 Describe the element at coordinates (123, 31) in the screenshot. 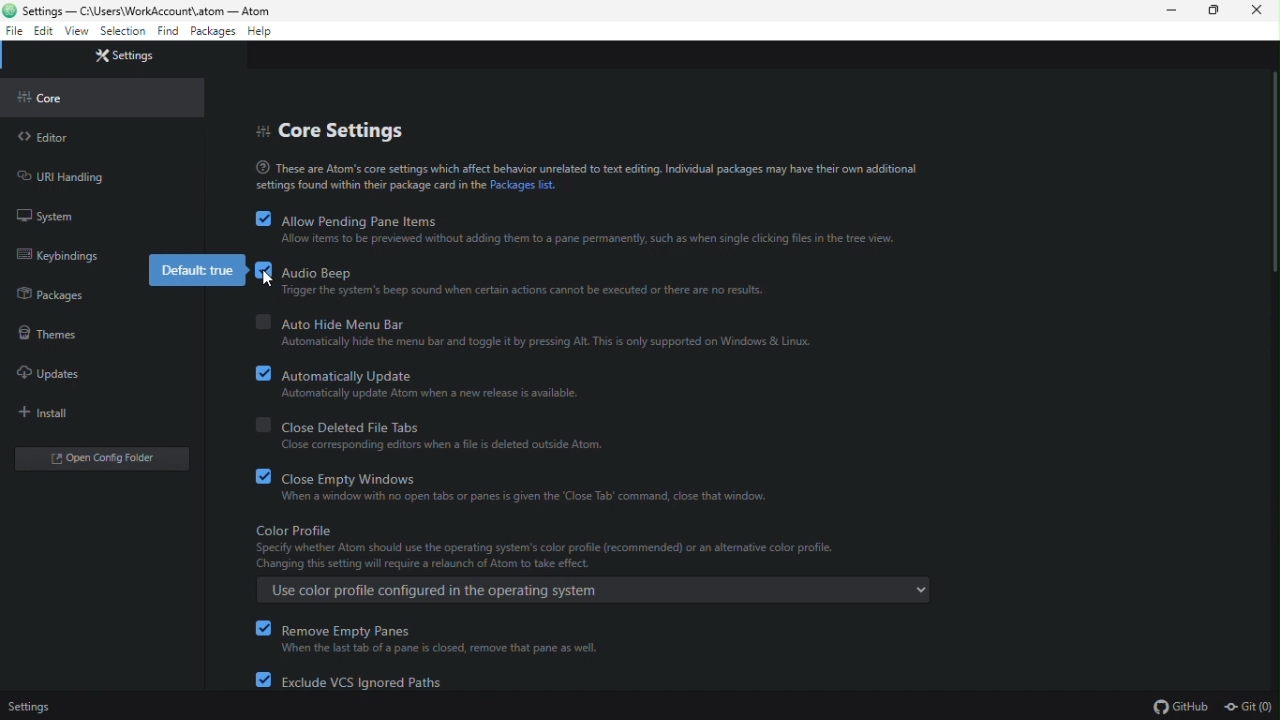

I see `selection` at that location.